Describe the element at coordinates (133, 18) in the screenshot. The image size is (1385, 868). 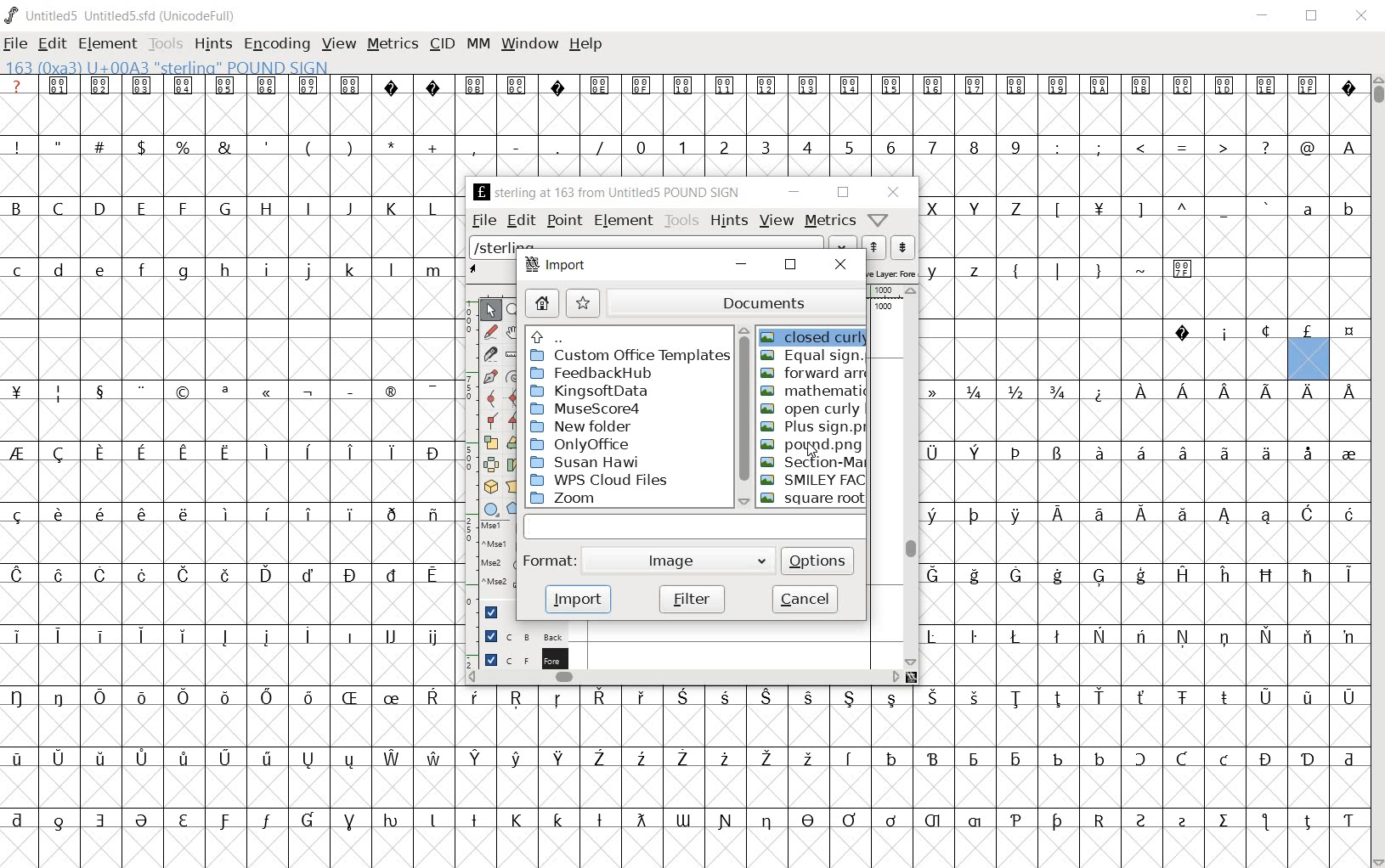
I see `Untitled5 Untitled5.sfd (UnicodeFull)` at that location.